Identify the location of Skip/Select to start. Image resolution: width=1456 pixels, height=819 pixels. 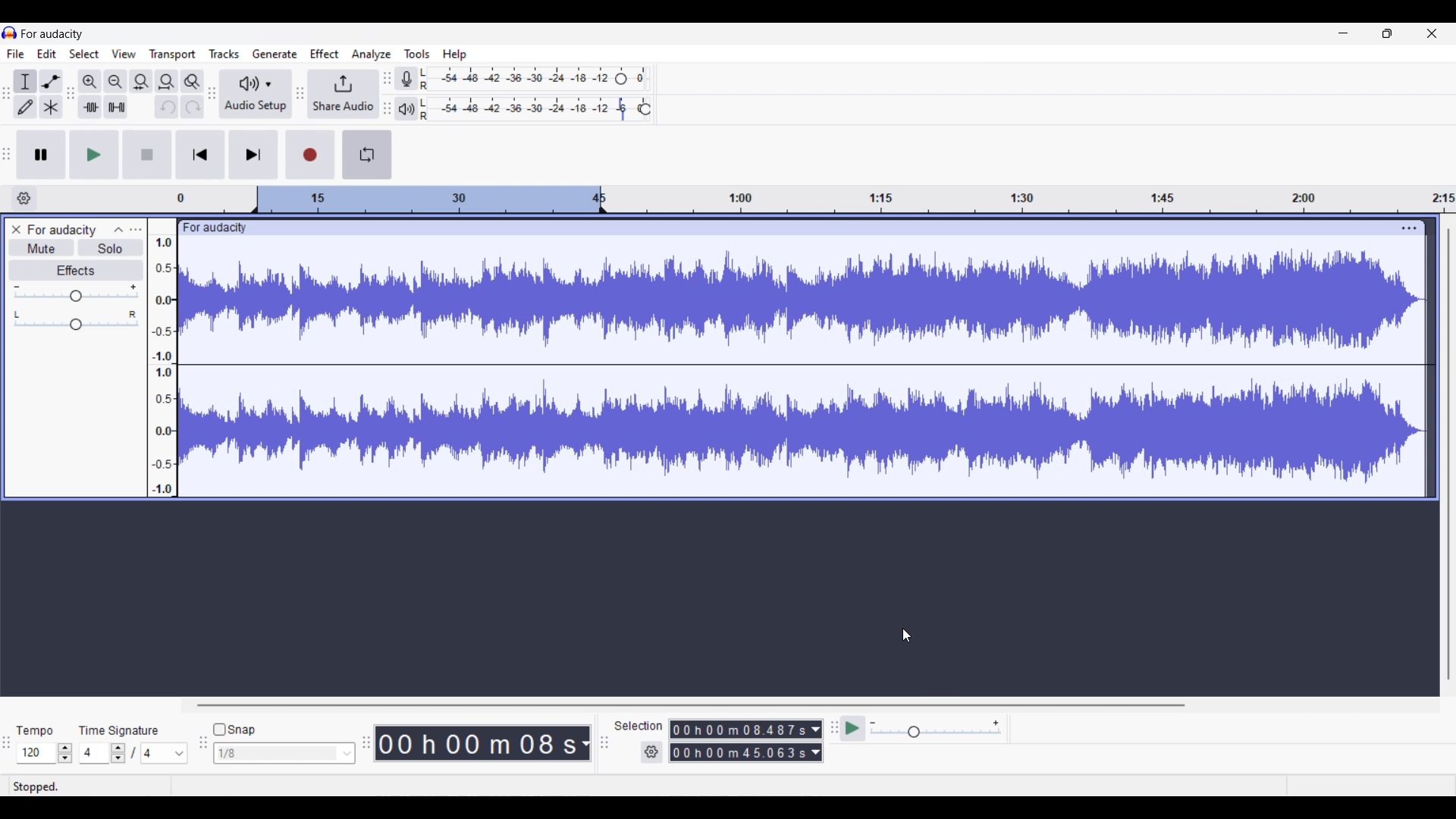
(200, 154).